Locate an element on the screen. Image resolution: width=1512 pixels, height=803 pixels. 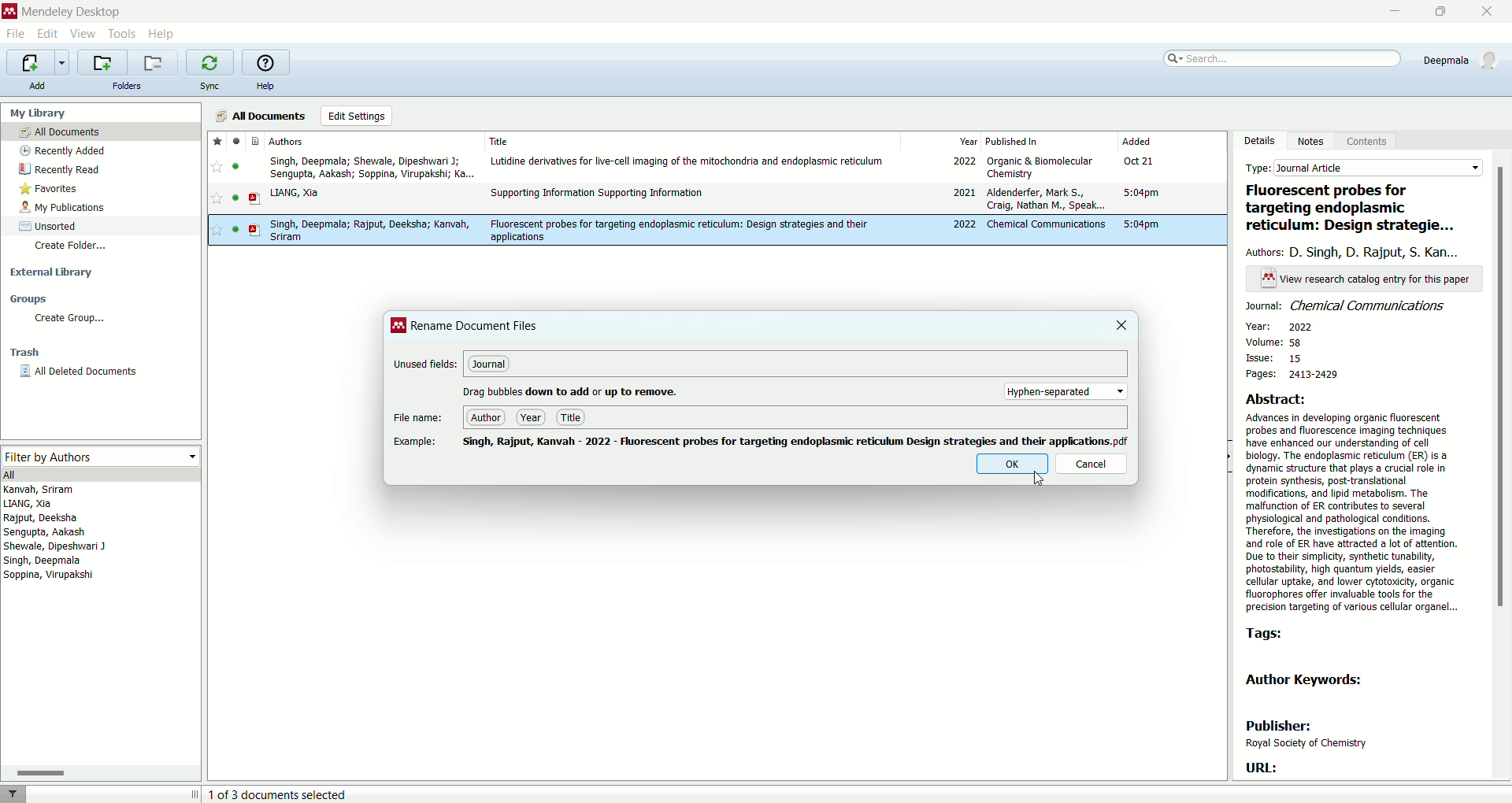
Supporting Information Supporting Information is located at coordinates (598, 194).